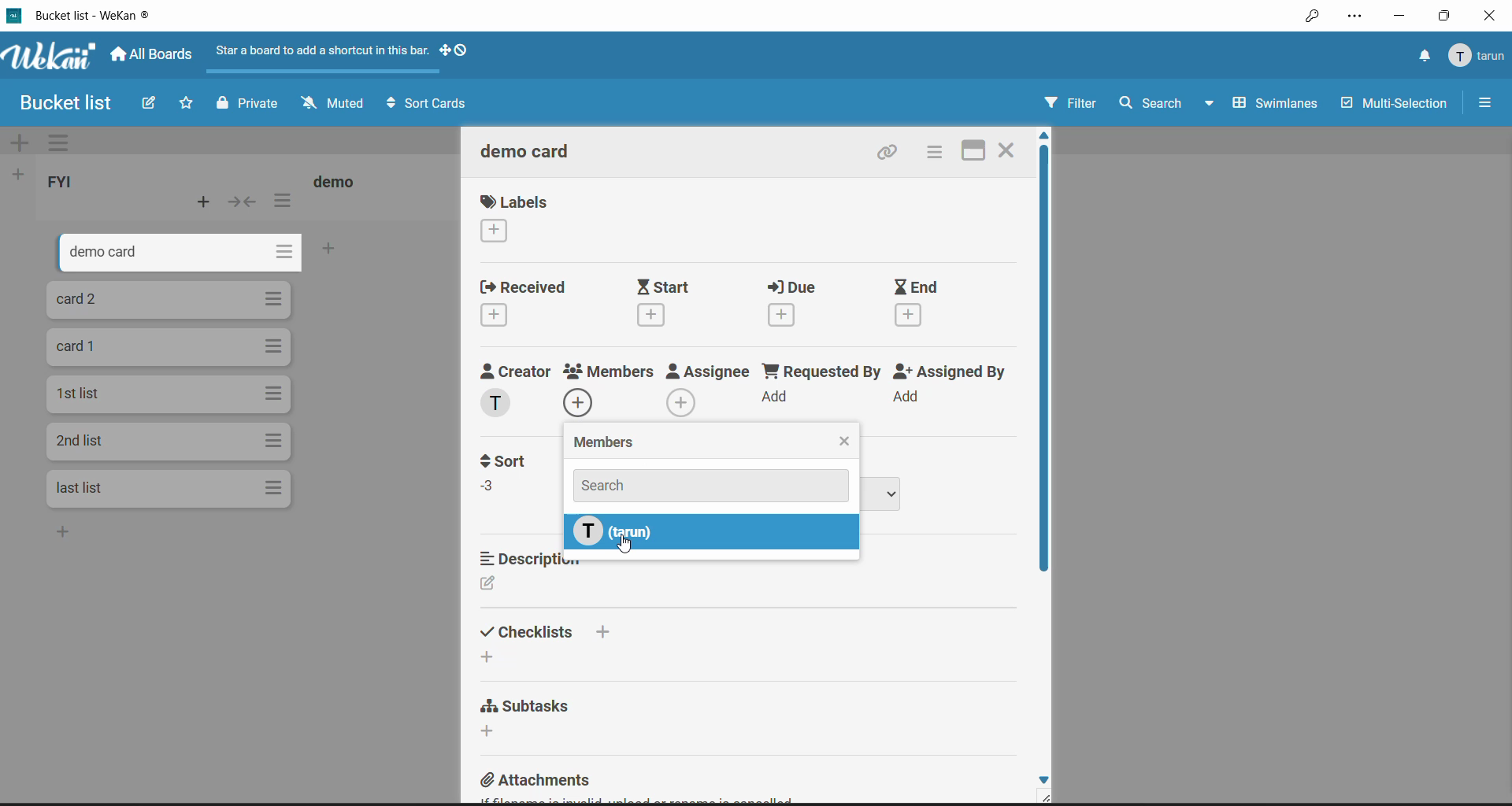  I want to click on add card to top, so click(200, 202).